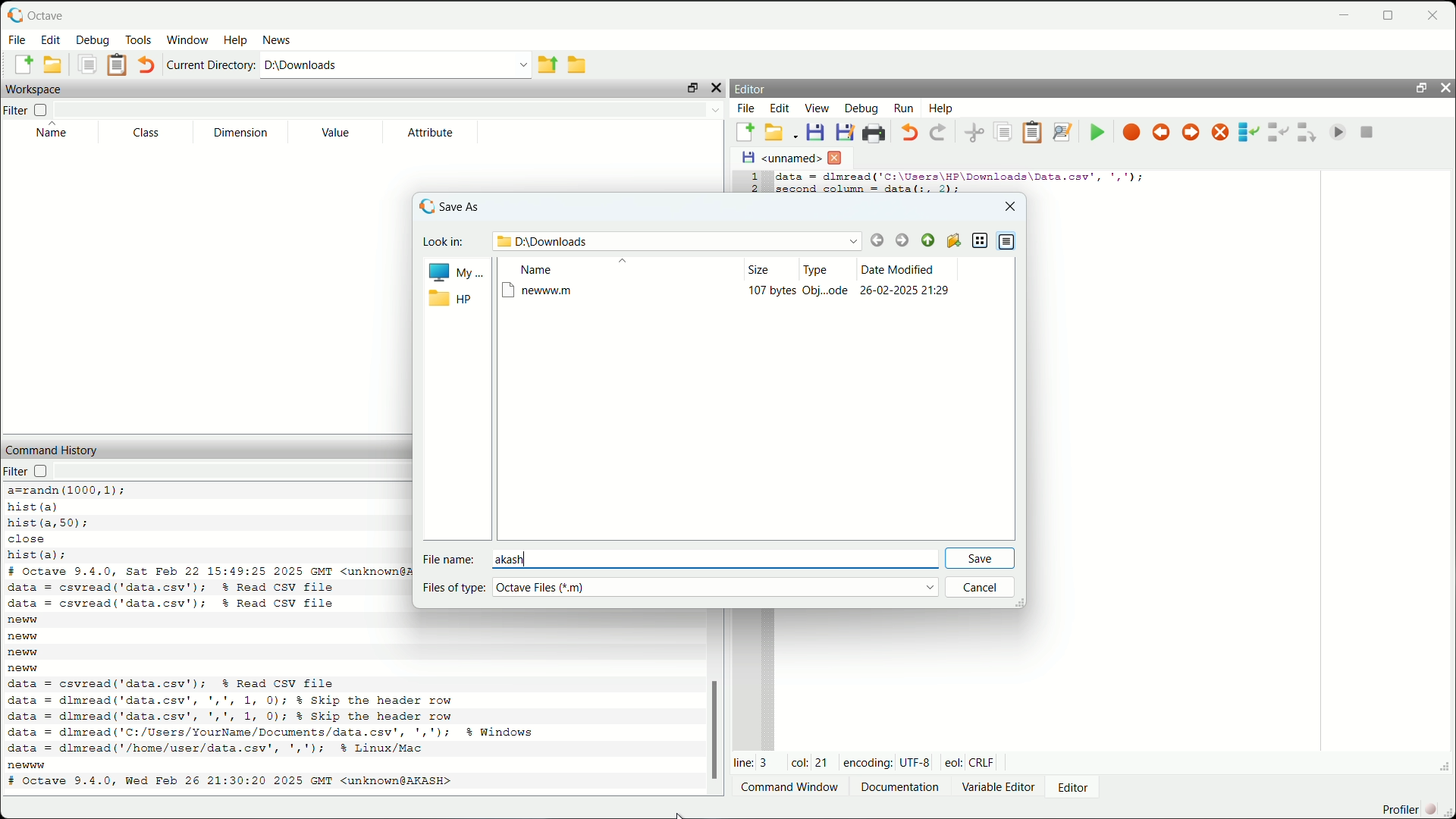 The width and height of the screenshot is (1456, 819). What do you see at coordinates (237, 133) in the screenshot?
I see `dimension` at bounding box center [237, 133].